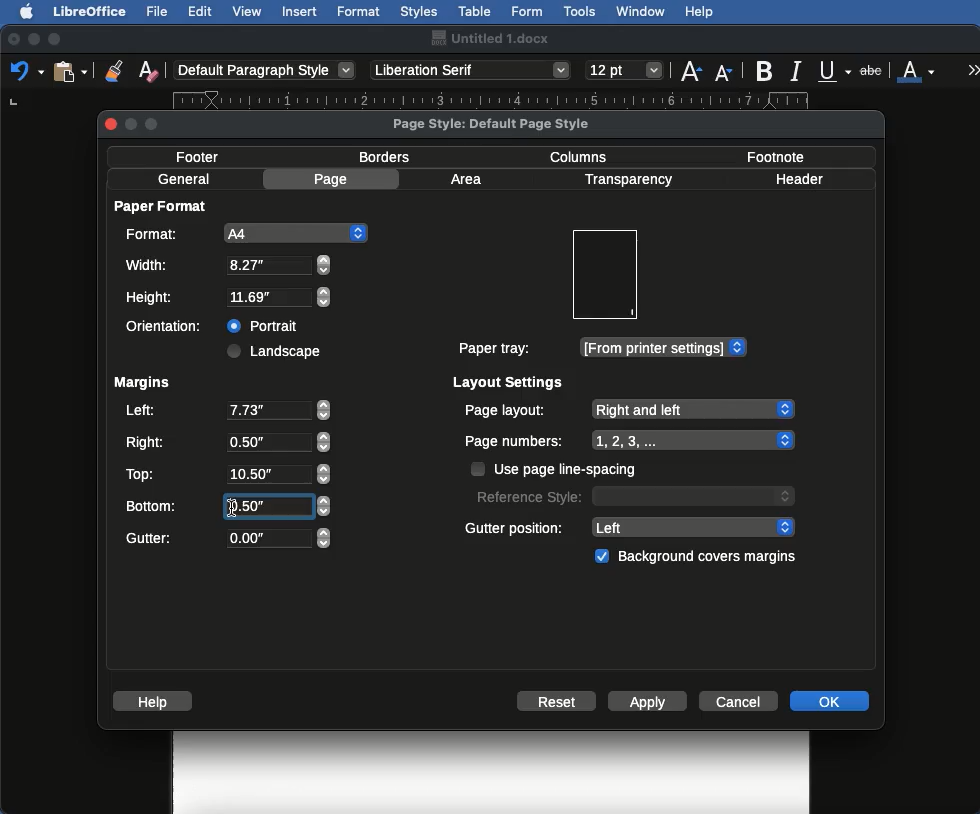 This screenshot has width=980, height=814. Describe the element at coordinates (33, 39) in the screenshot. I see `Minimize` at that location.